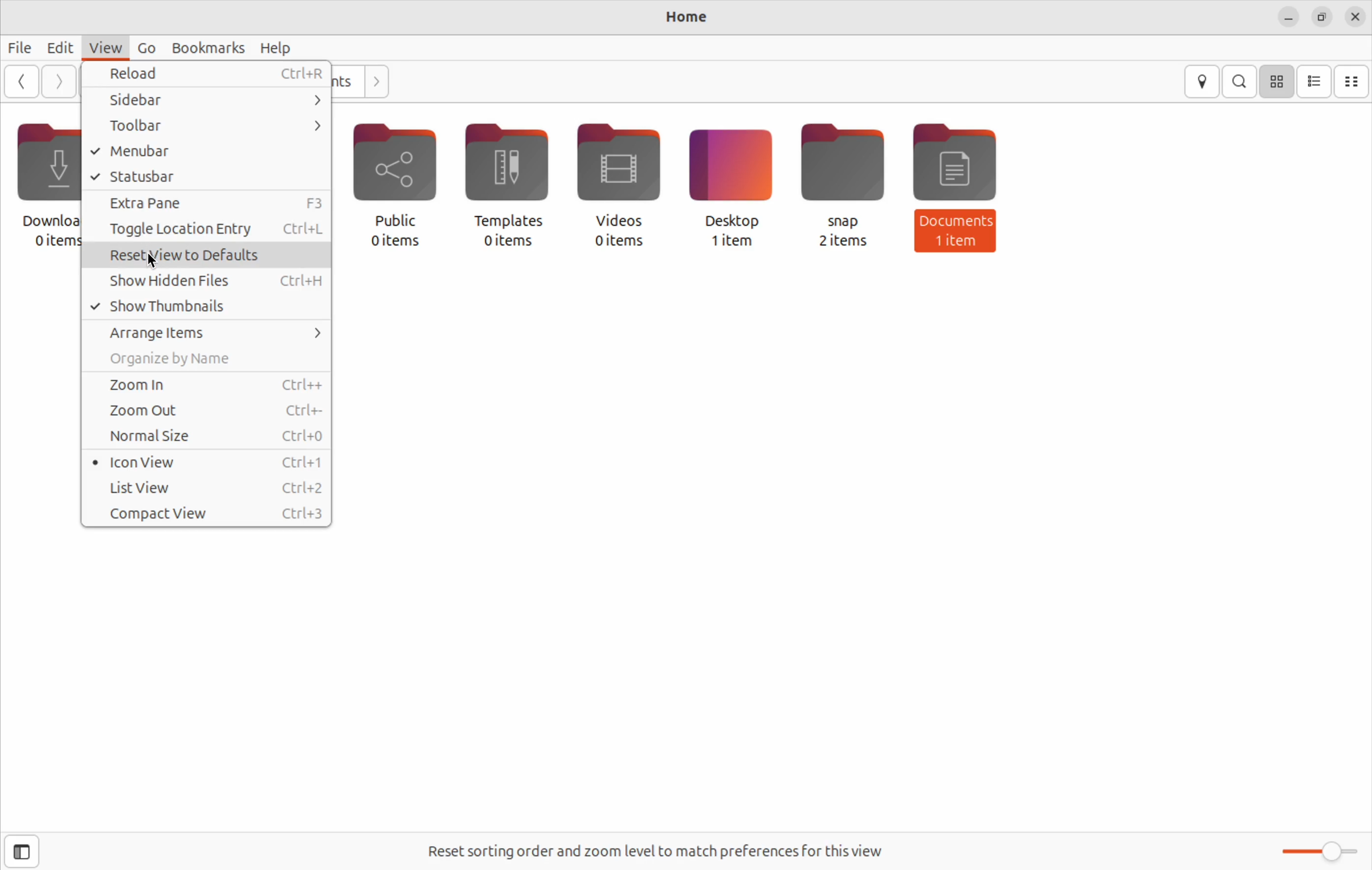 The height and width of the screenshot is (870, 1372). Describe the element at coordinates (509, 173) in the screenshot. I see `Templates` at that location.